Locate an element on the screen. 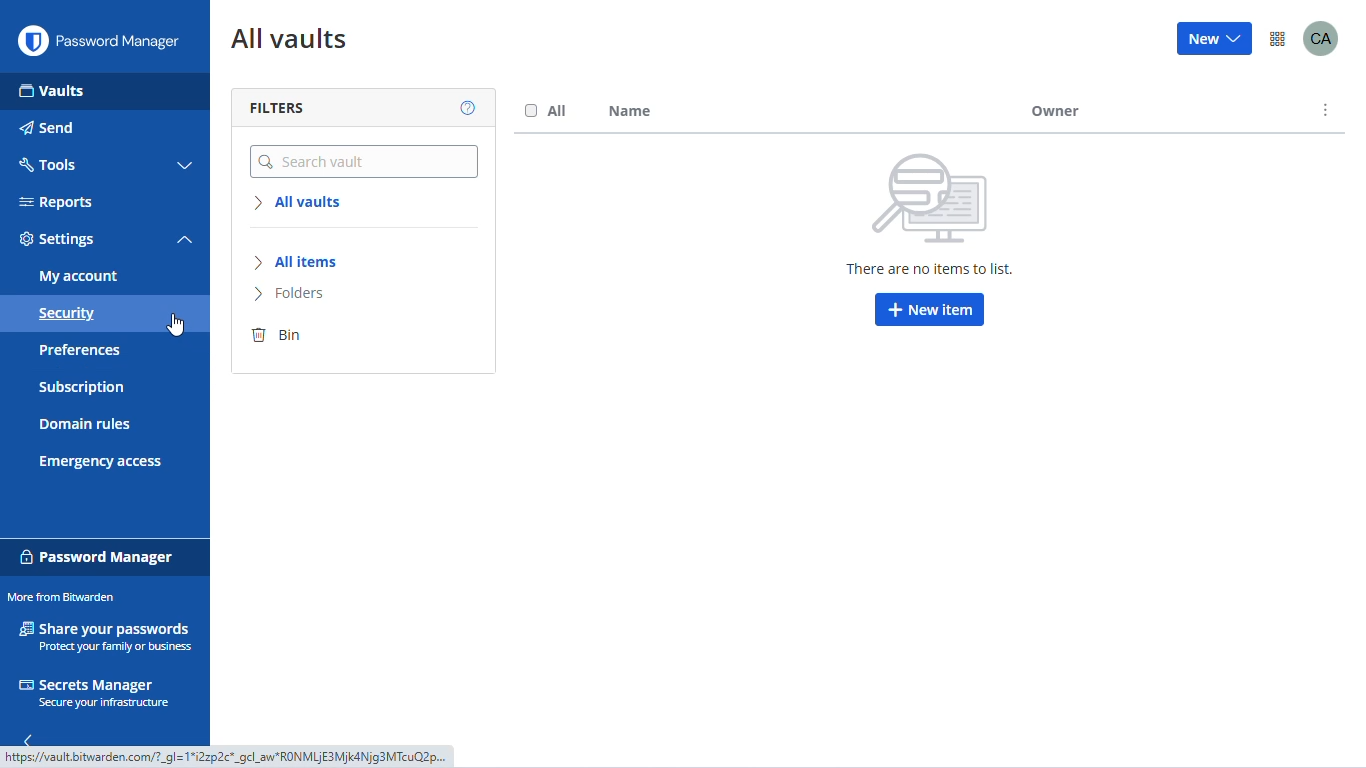  there are no items to list. is located at coordinates (935, 271).